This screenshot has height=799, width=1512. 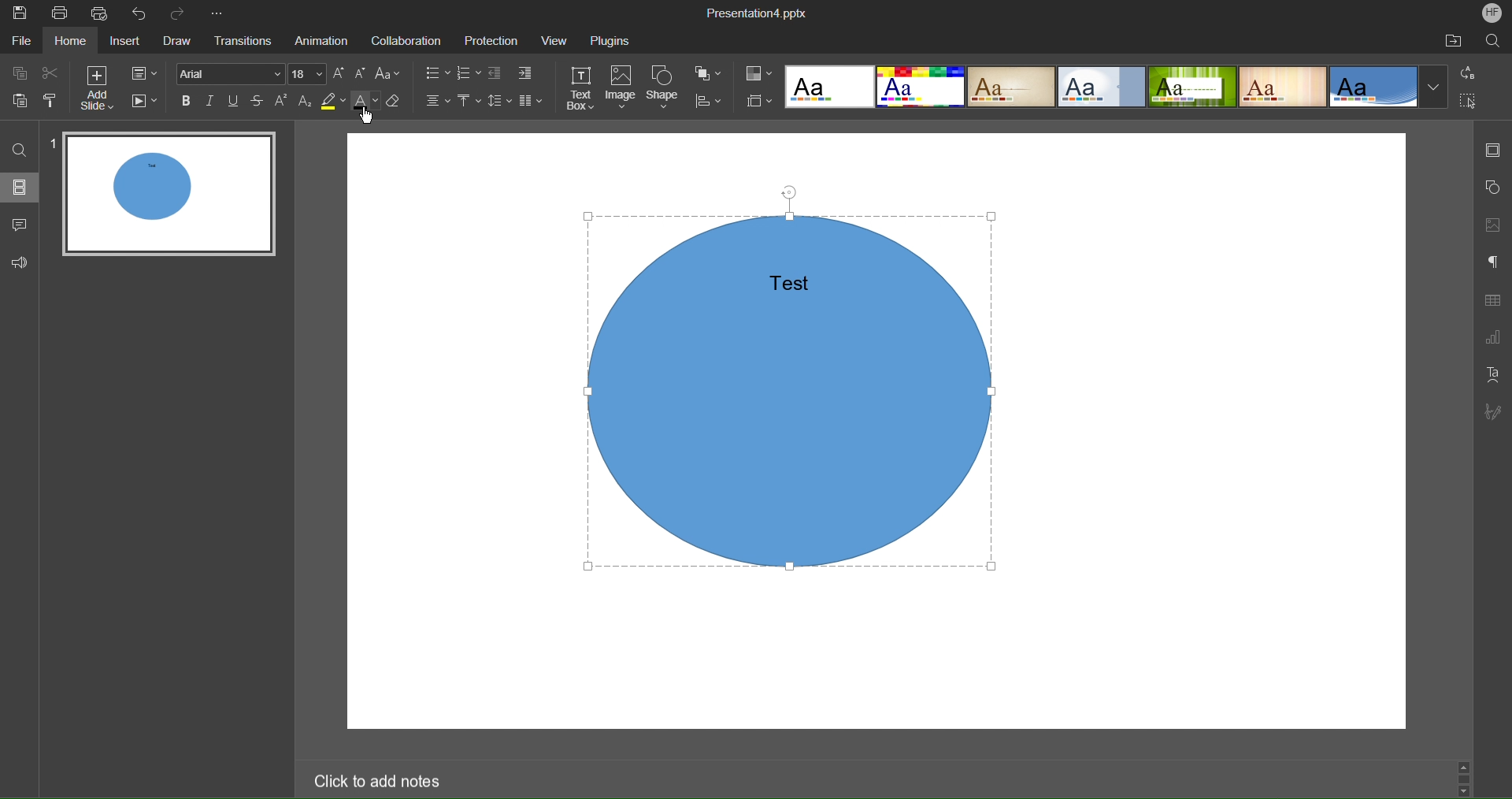 I want to click on Text Box, so click(x=584, y=88).